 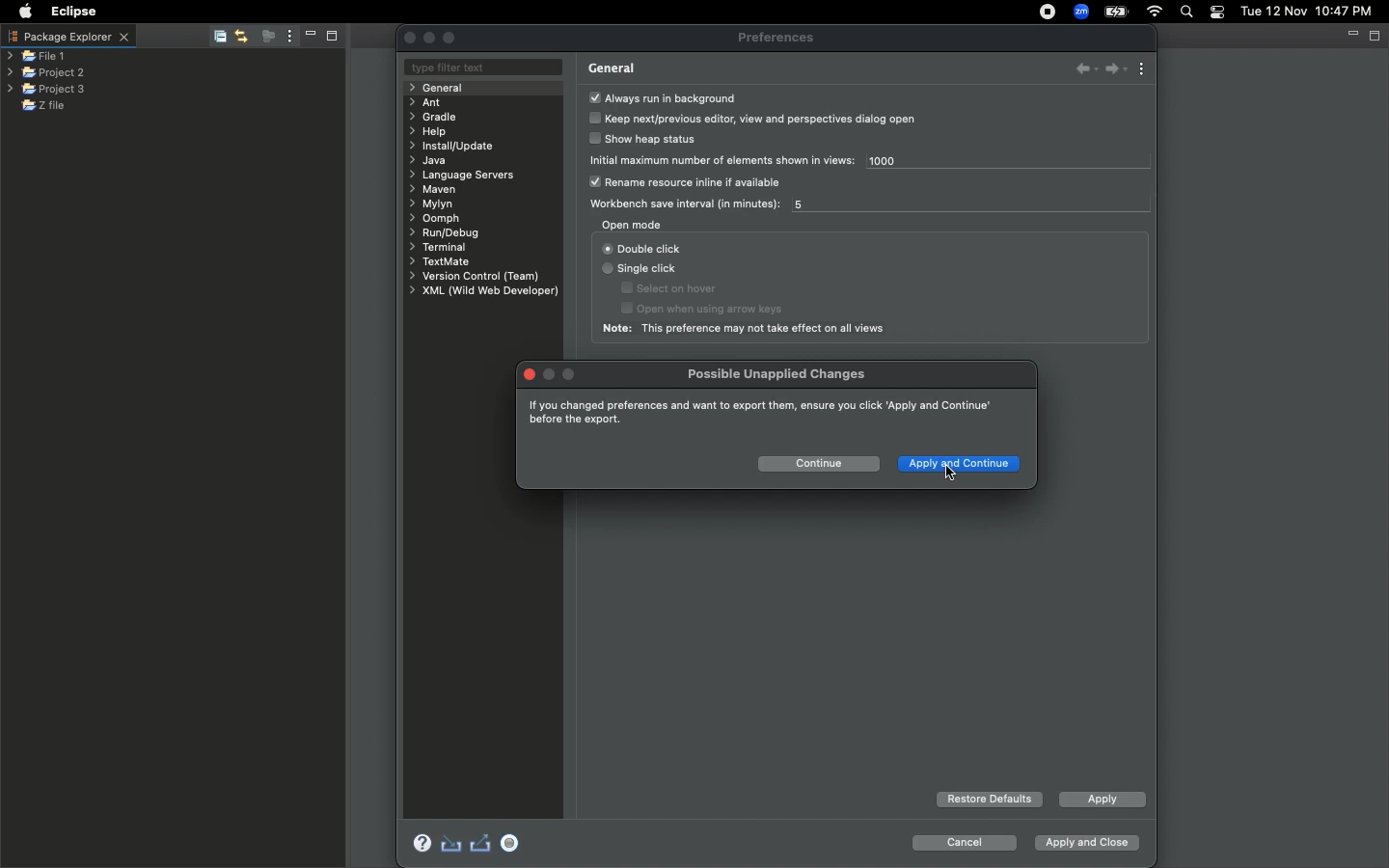 What do you see at coordinates (471, 276) in the screenshot?
I see `Version control team` at bounding box center [471, 276].